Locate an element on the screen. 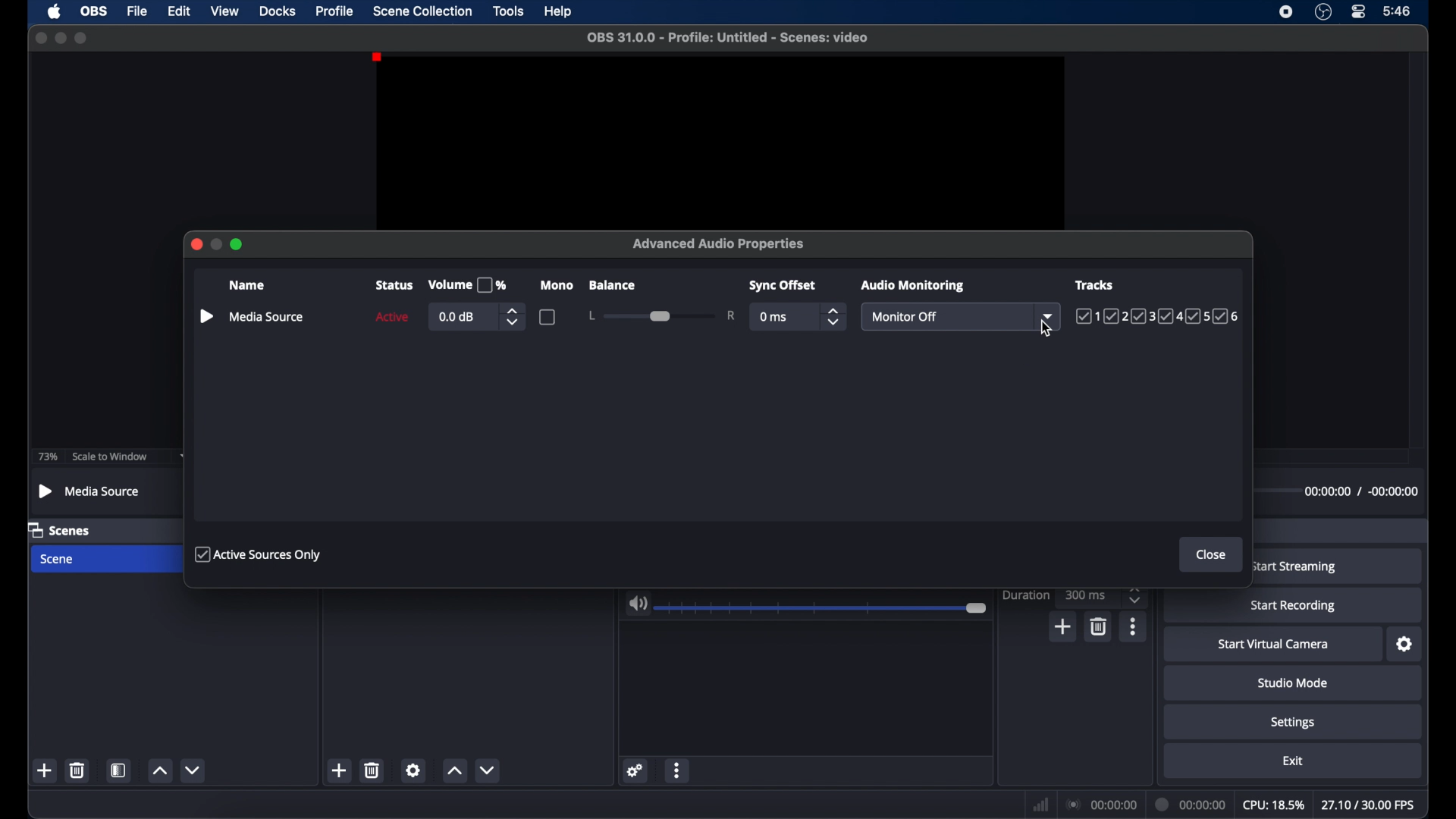 This screenshot has width=1456, height=819. scene collection is located at coordinates (423, 11).